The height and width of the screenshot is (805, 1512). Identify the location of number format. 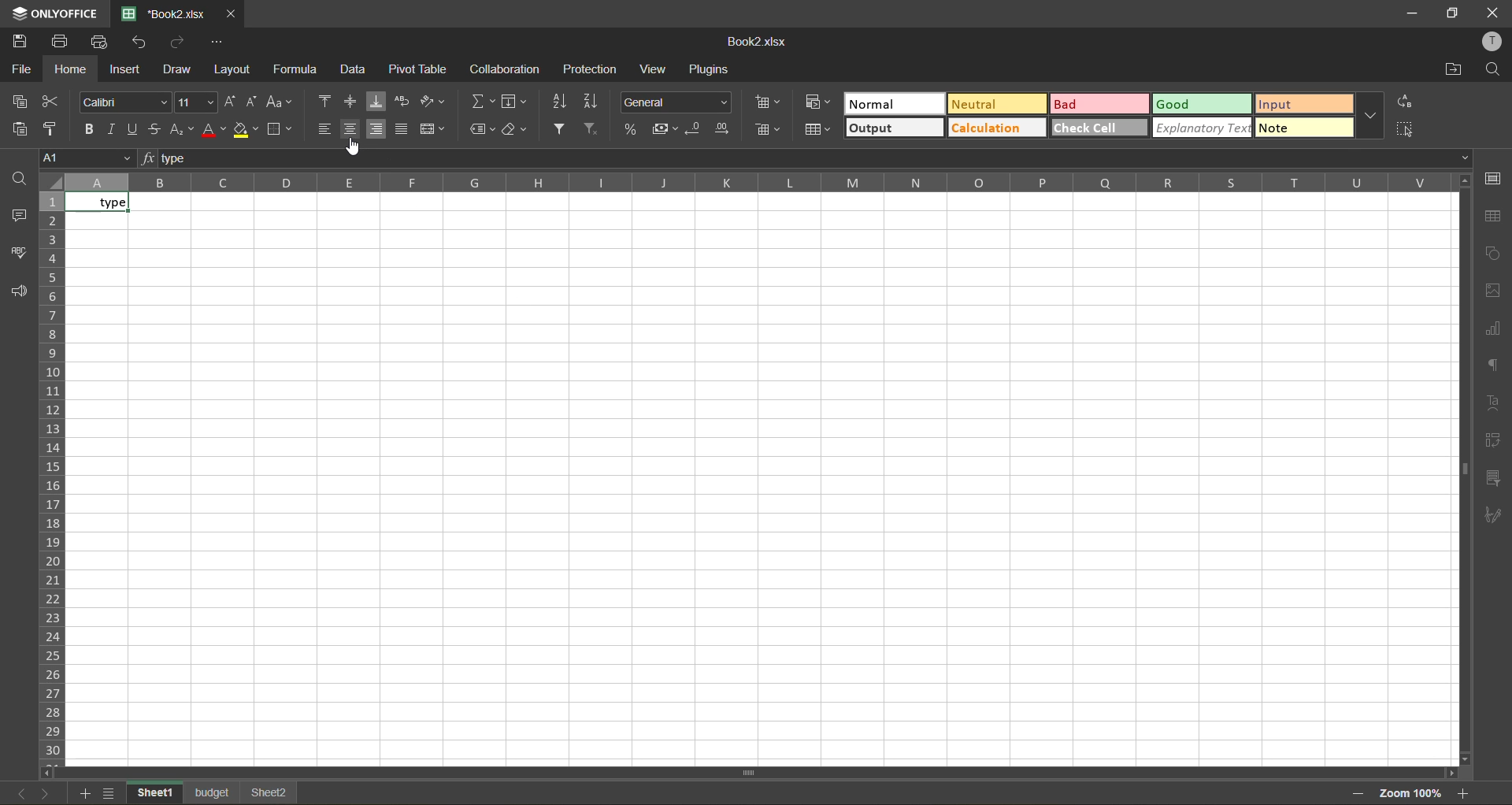
(679, 102).